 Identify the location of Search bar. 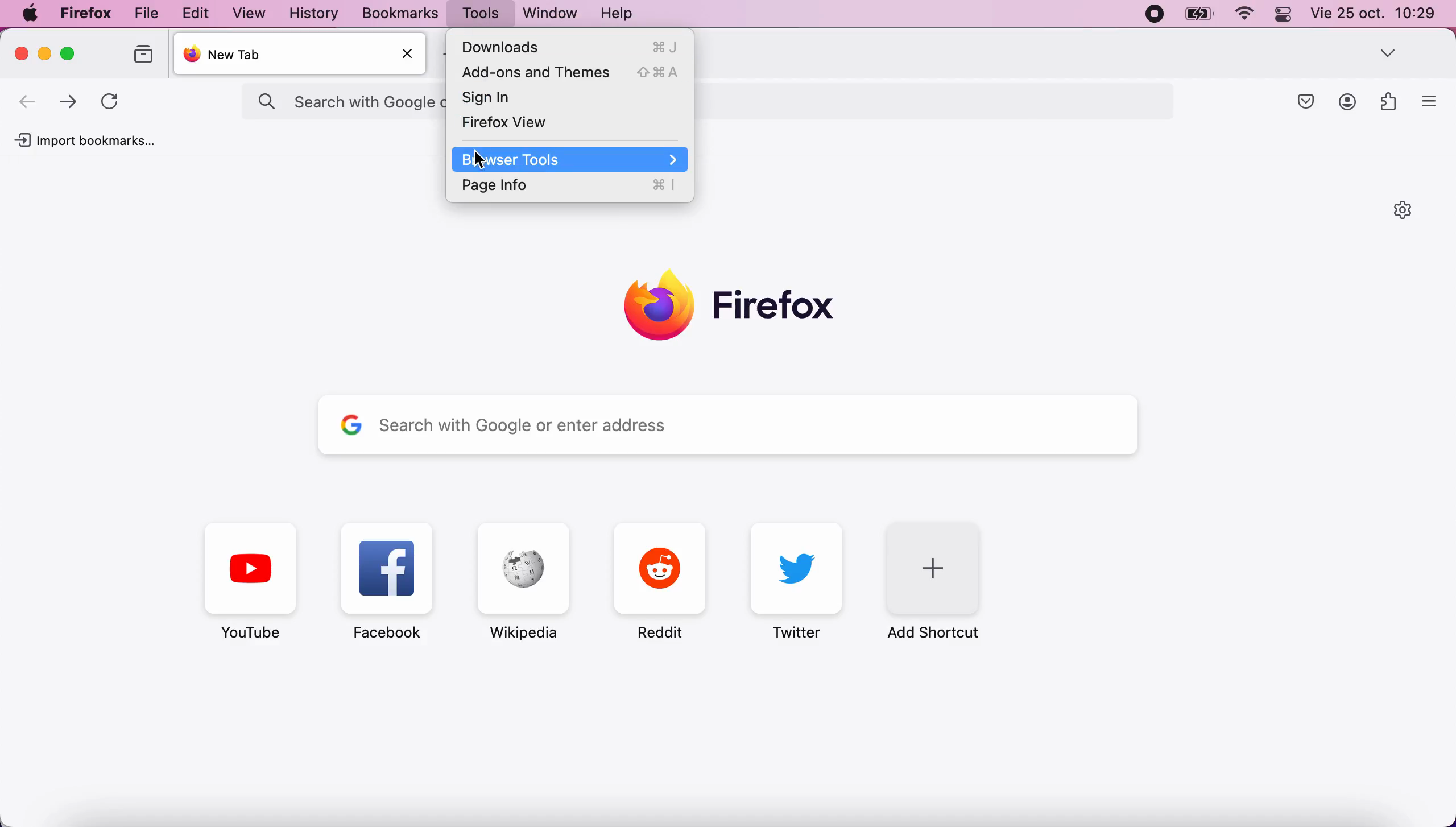
(731, 424).